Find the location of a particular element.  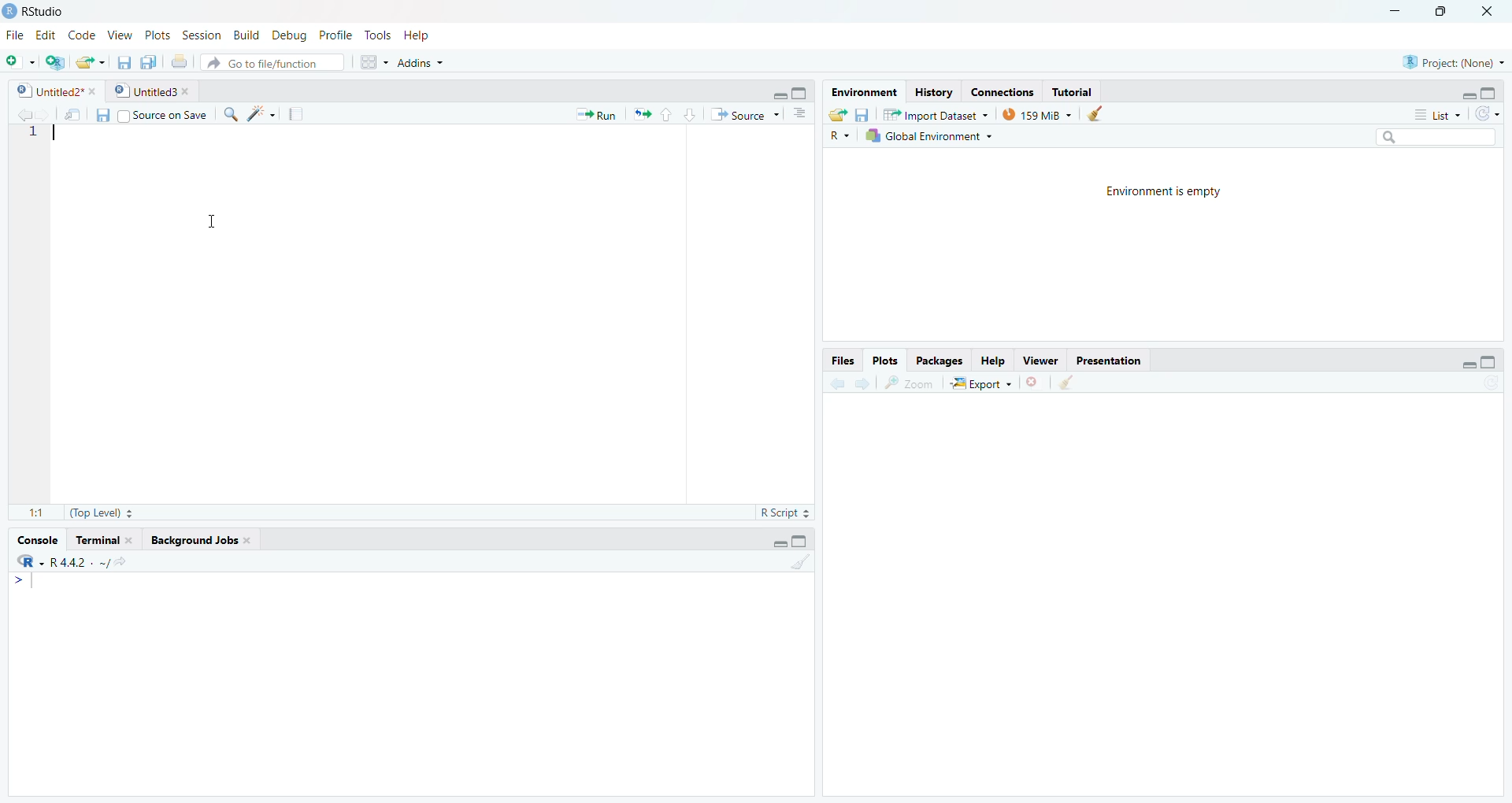

Help is located at coordinates (992, 362).